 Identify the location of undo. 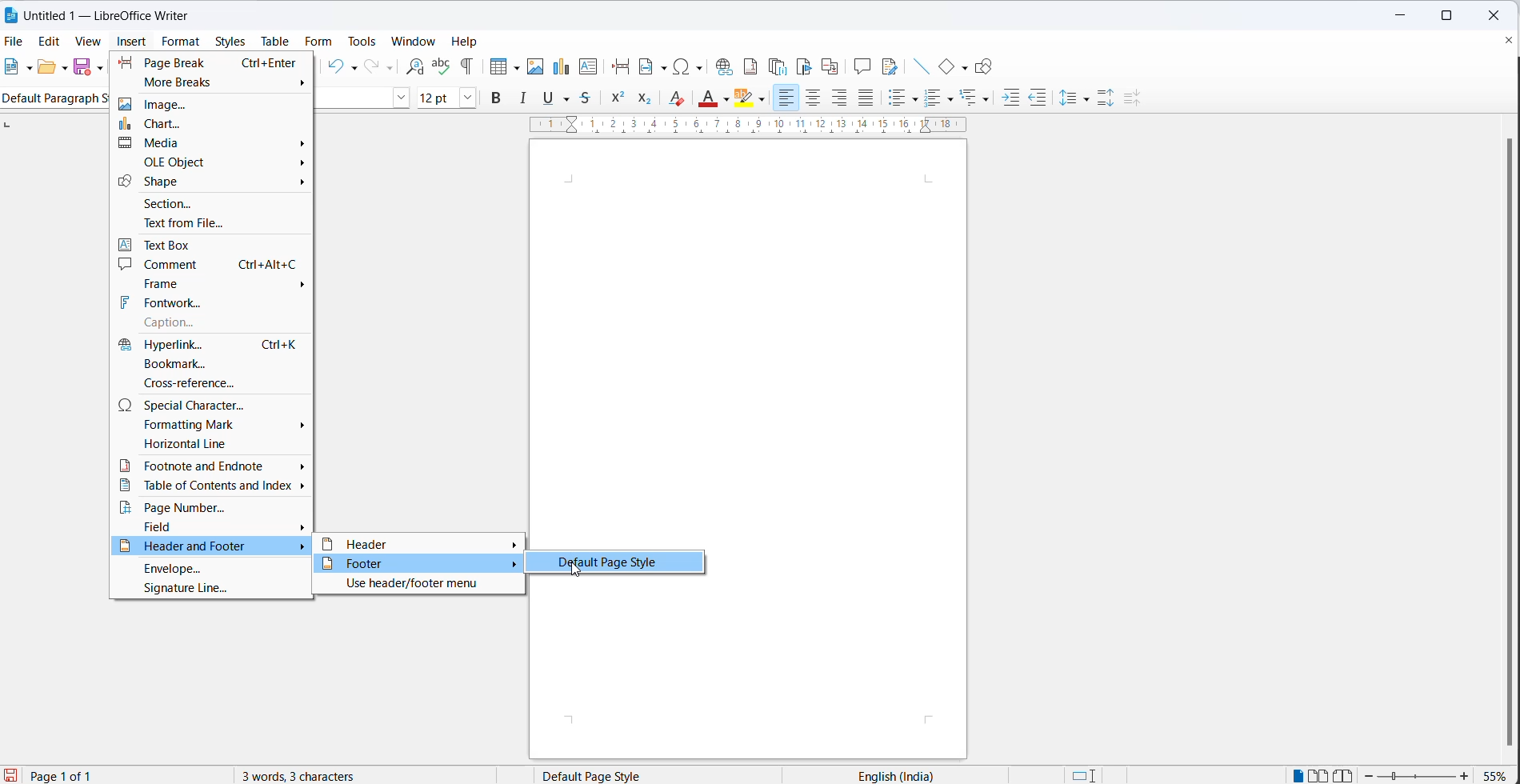
(333, 66).